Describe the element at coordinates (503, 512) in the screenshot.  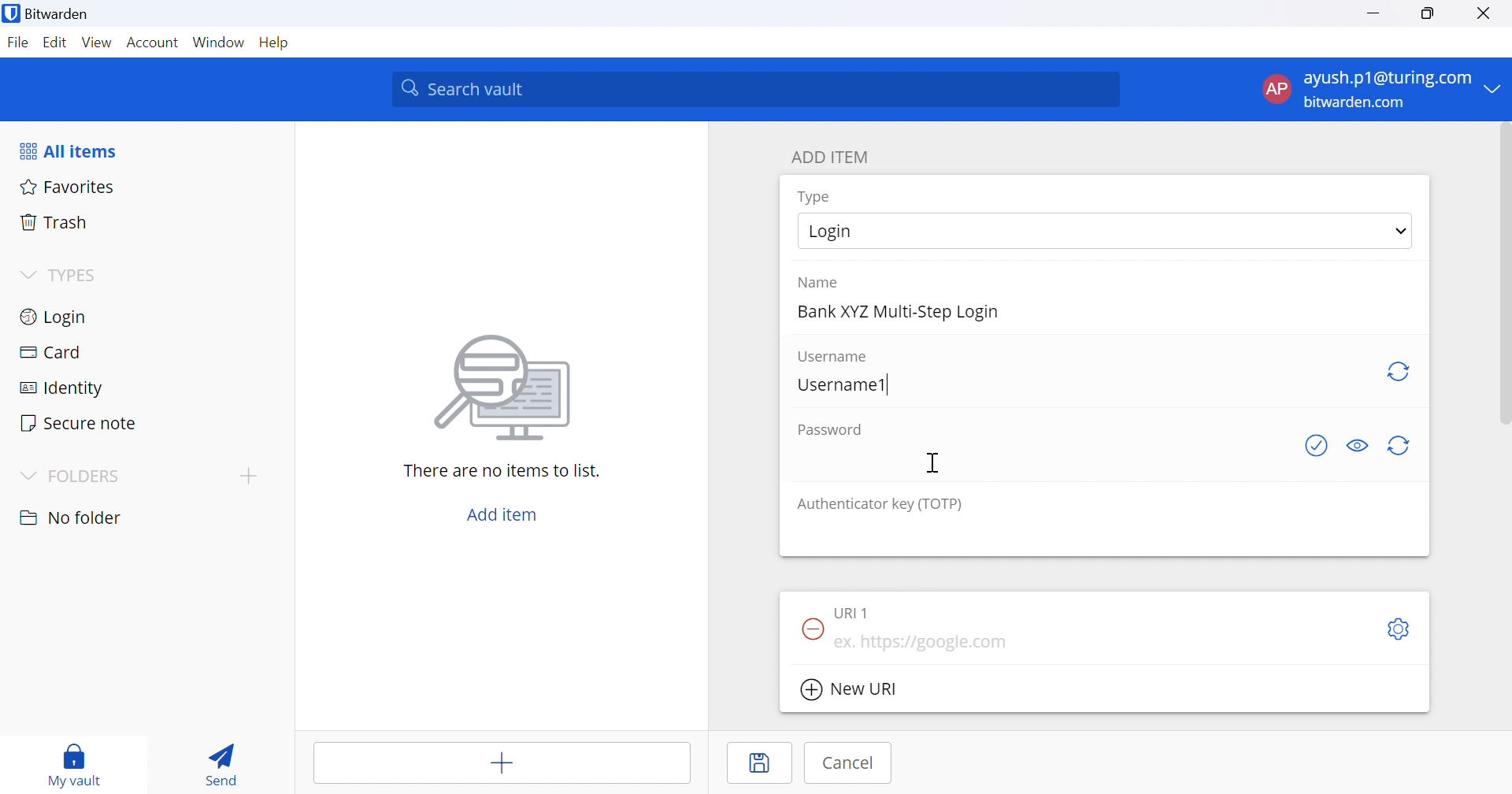
I see `Add item` at that location.